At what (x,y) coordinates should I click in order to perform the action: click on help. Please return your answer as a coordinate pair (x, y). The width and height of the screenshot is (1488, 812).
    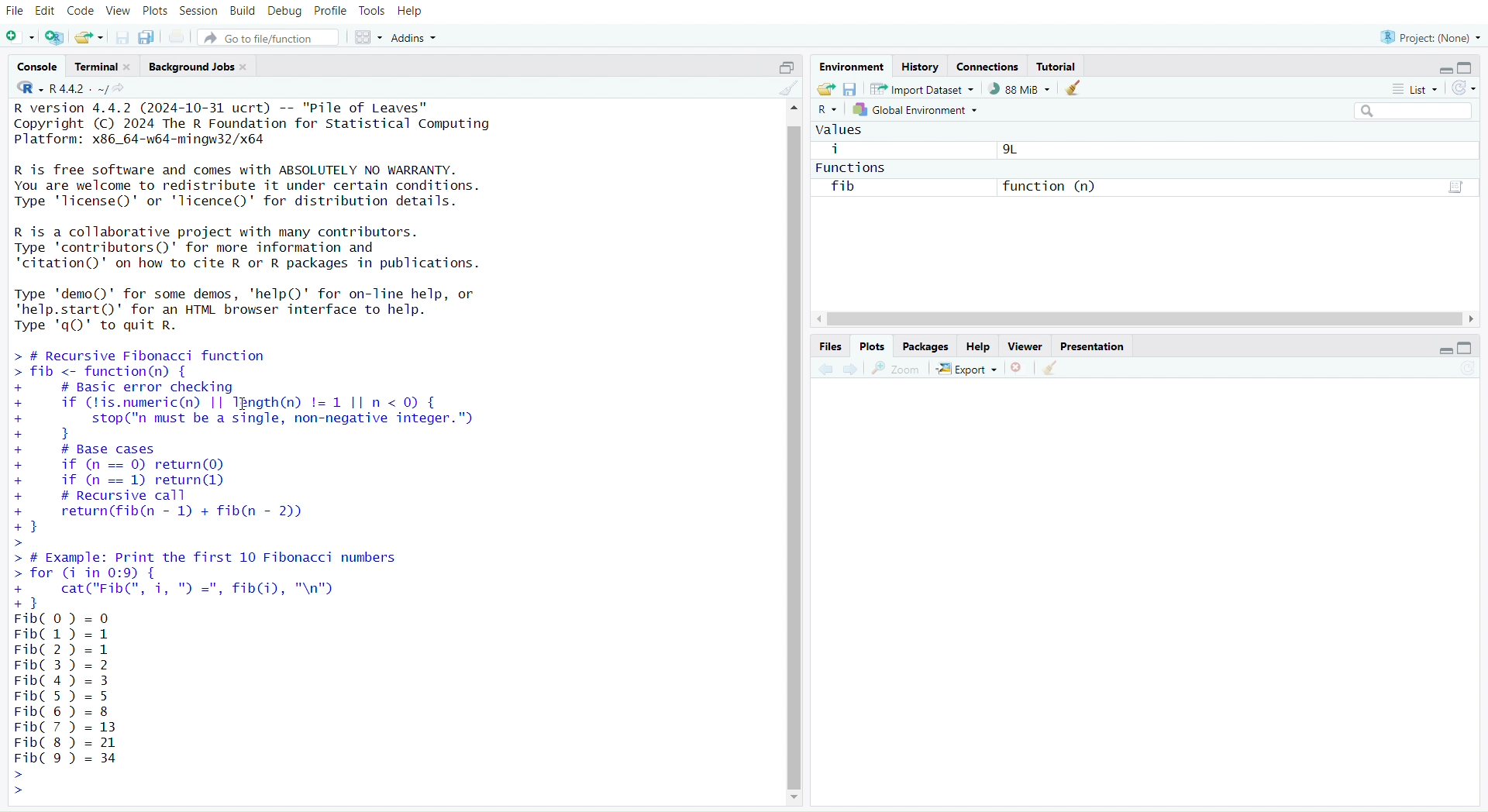
    Looking at the image, I should click on (979, 347).